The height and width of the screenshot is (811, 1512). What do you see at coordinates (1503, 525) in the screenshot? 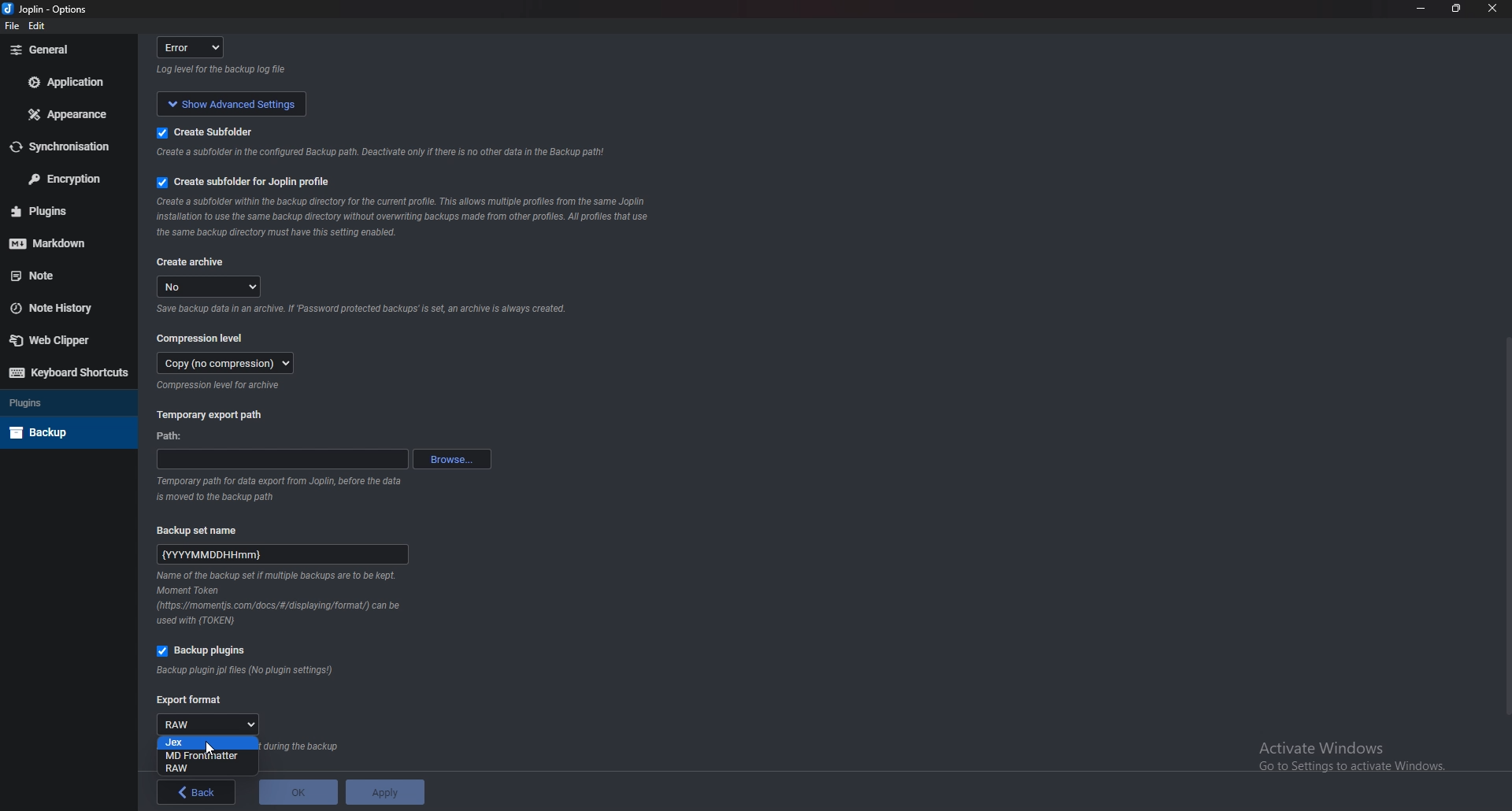
I see `Scroll bar` at bounding box center [1503, 525].